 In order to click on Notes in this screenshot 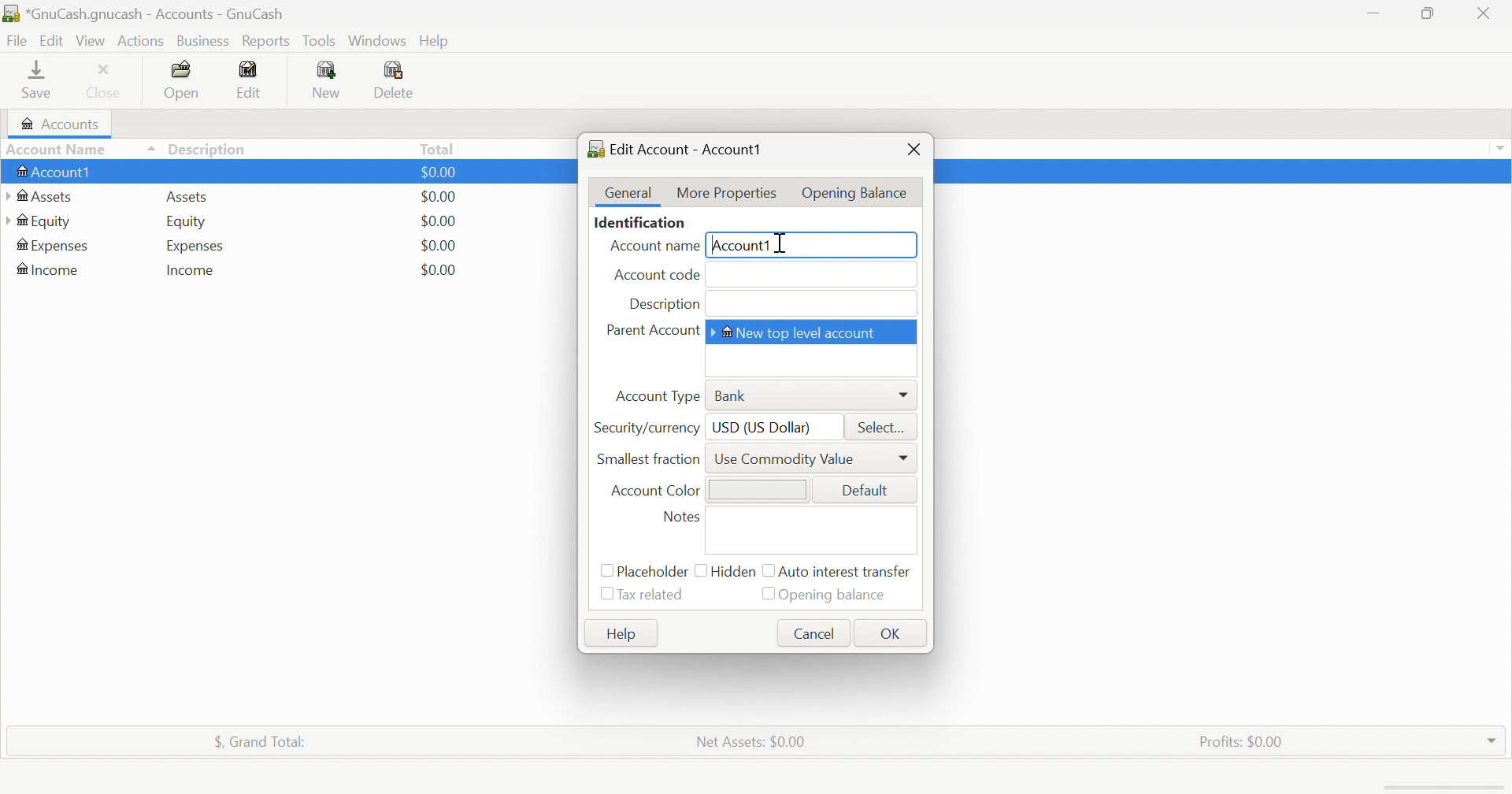, I will do `click(680, 518)`.